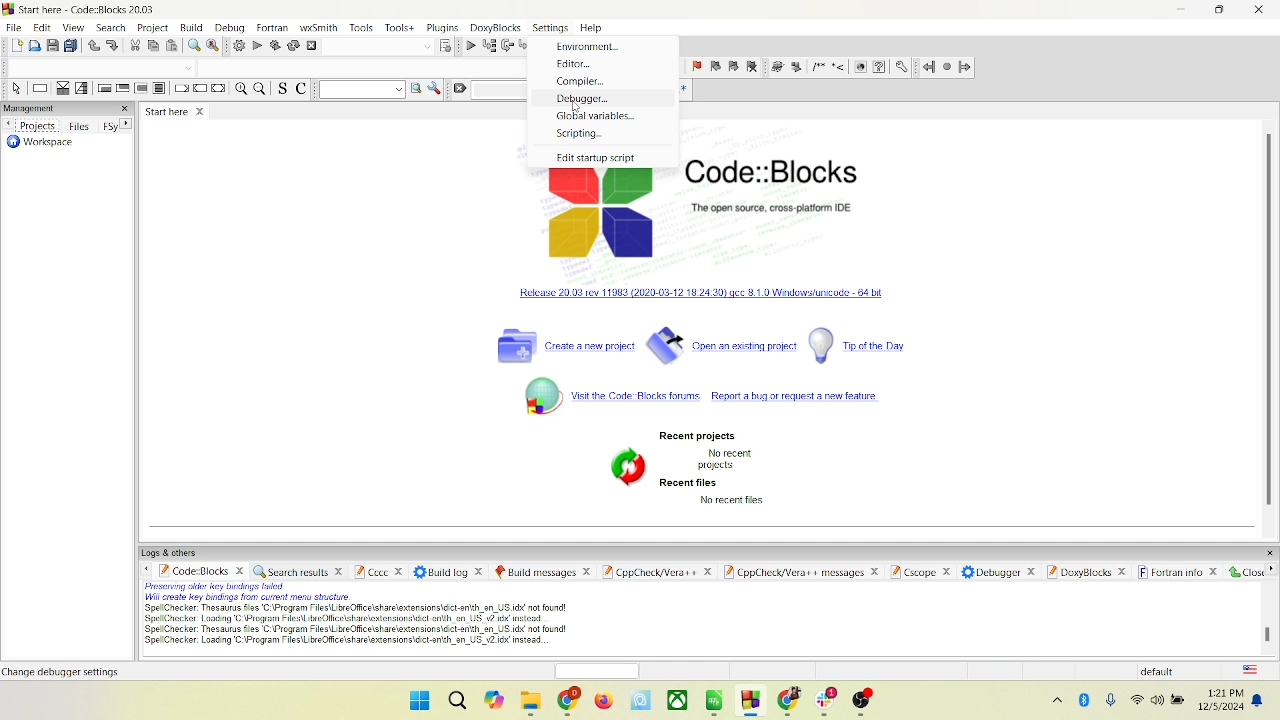 The image size is (1280, 720). What do you see at coordinates (591, 28) in the screenshot?
I see `help` at bounding box center [591, 28].